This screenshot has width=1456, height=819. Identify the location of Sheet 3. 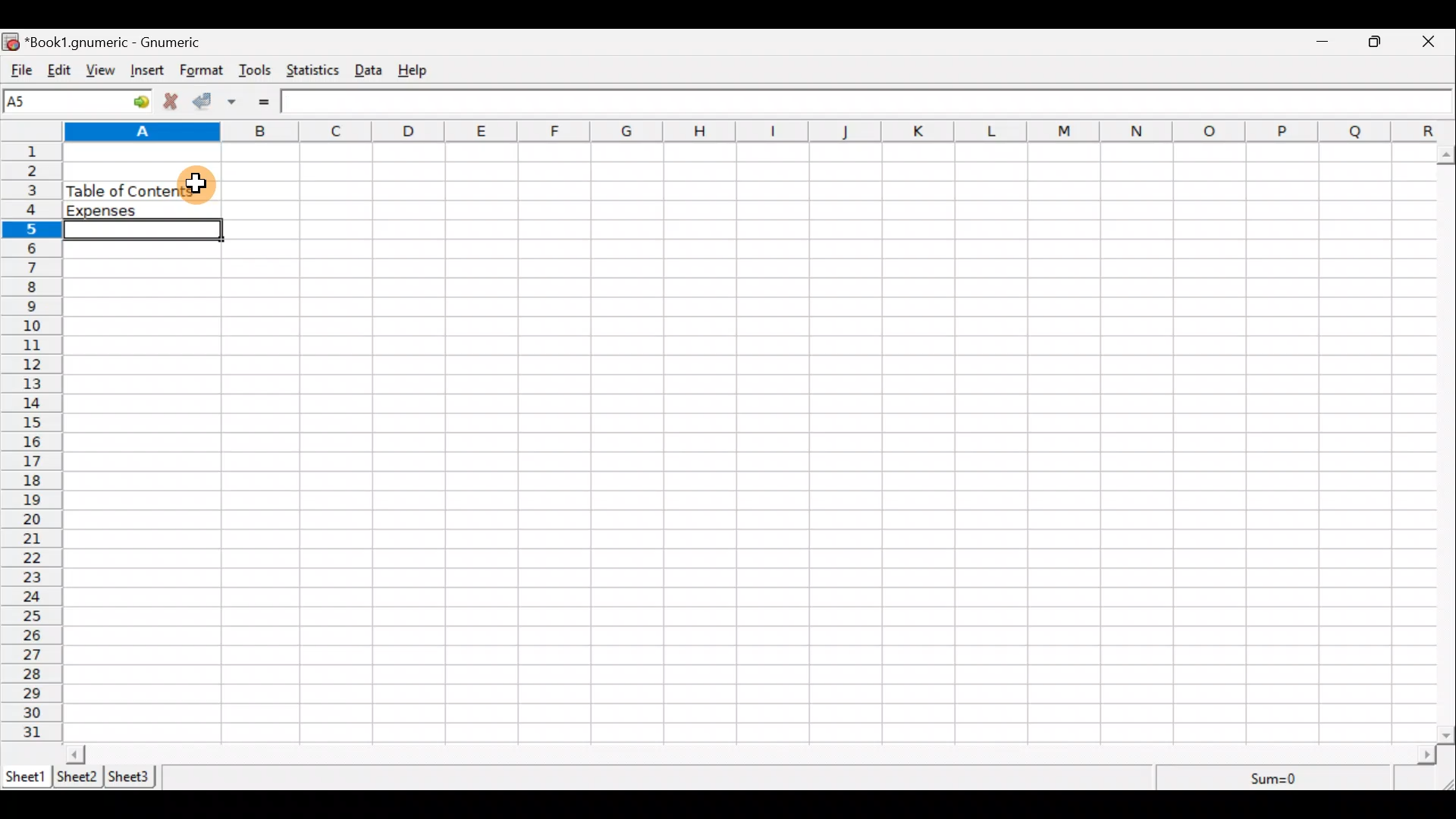
(133, 776).